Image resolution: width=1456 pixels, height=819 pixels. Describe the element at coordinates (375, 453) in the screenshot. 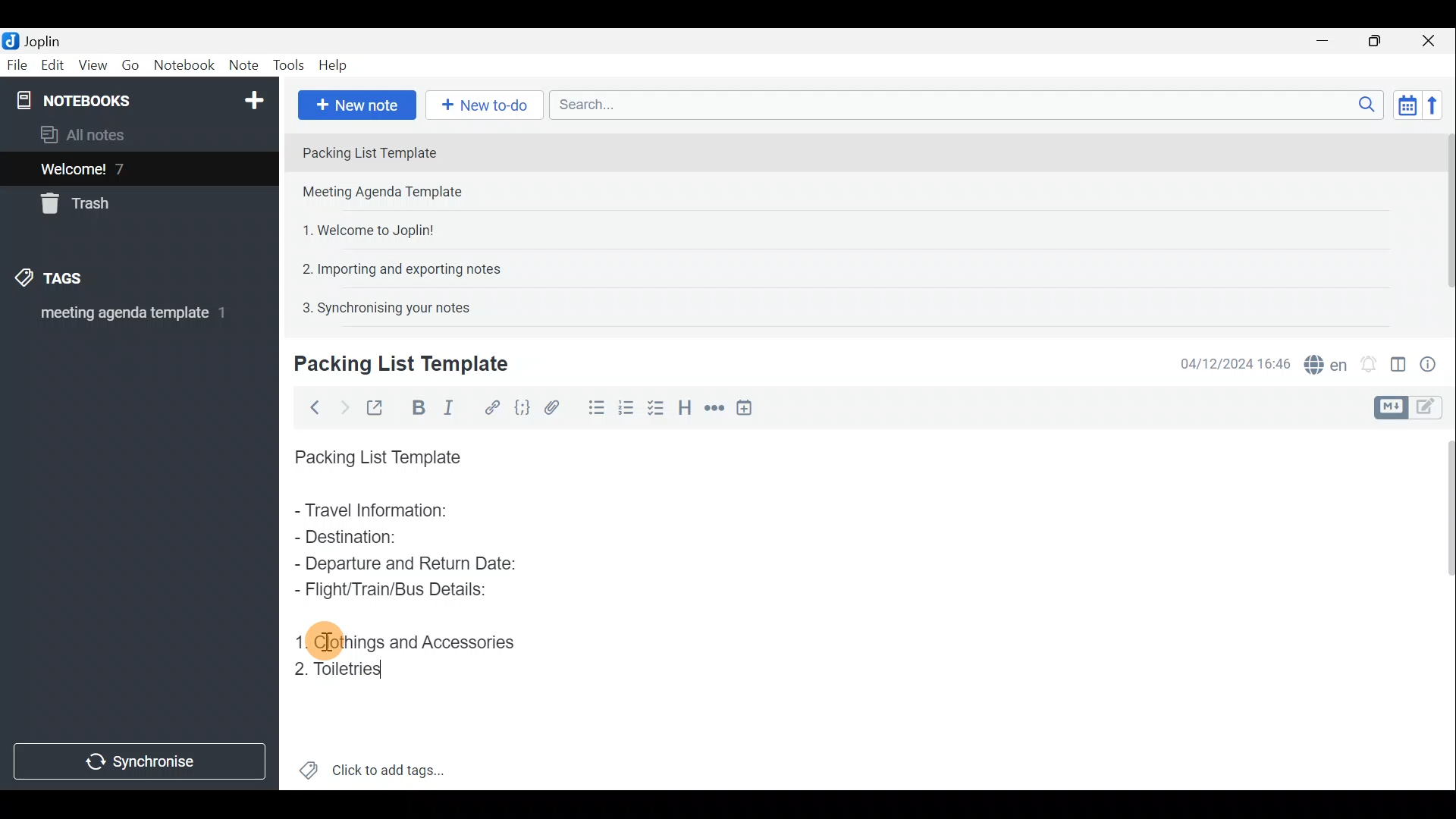

I see `Packing List Template` at that location.